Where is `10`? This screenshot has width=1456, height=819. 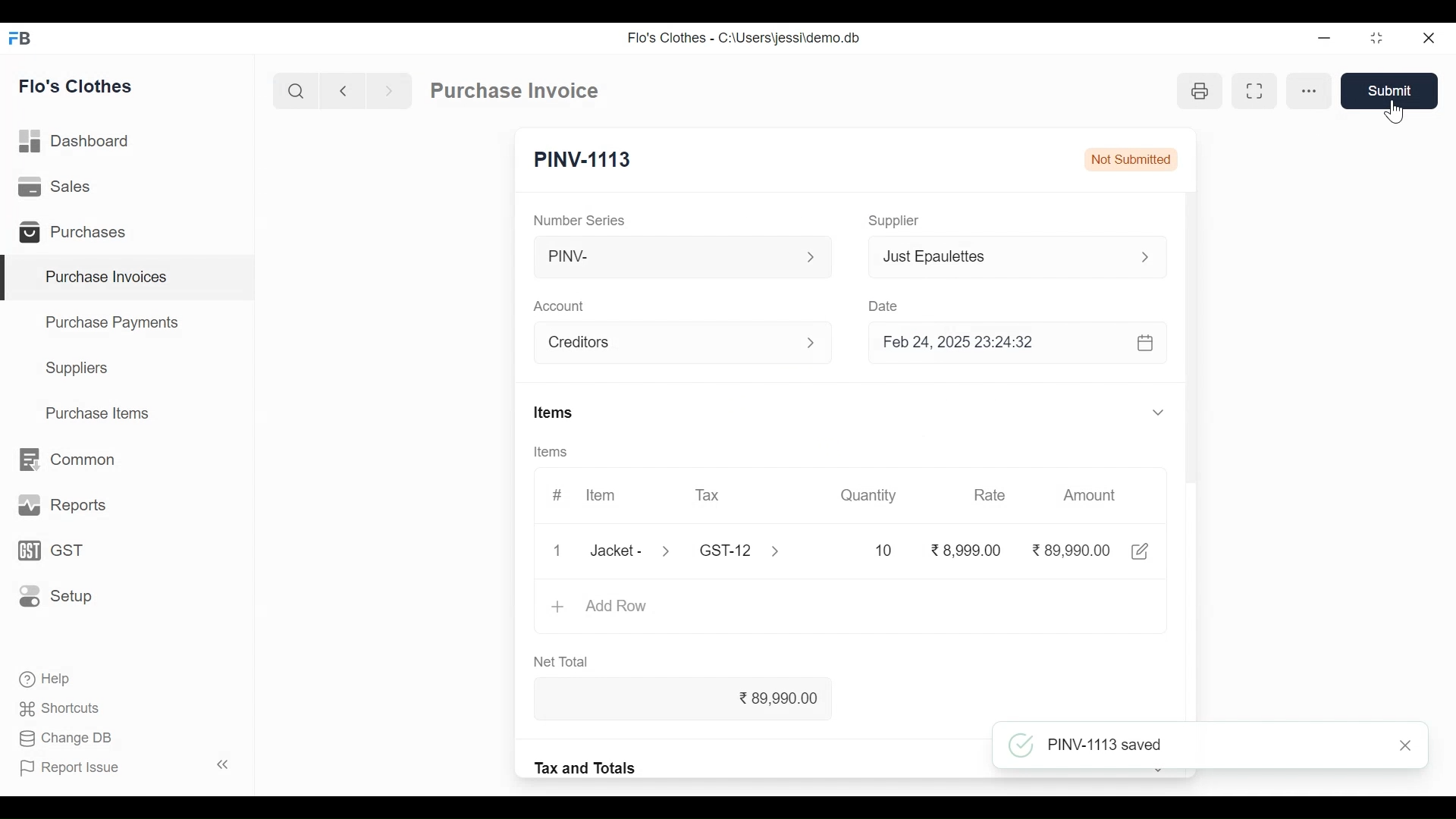 10 is located at coordinates (853, 549).